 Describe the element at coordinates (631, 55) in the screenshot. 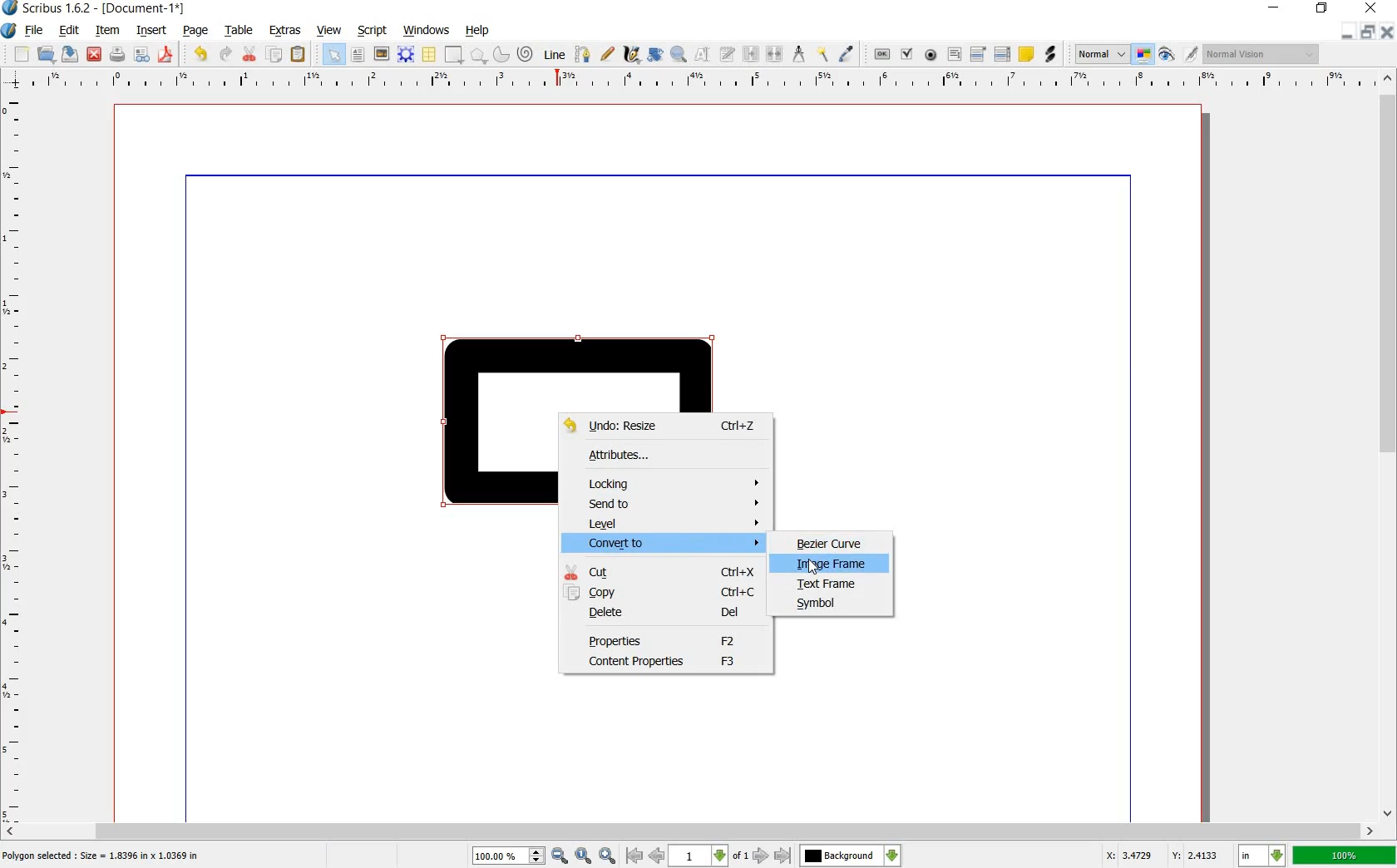

I see `calligraphic line` at that location.